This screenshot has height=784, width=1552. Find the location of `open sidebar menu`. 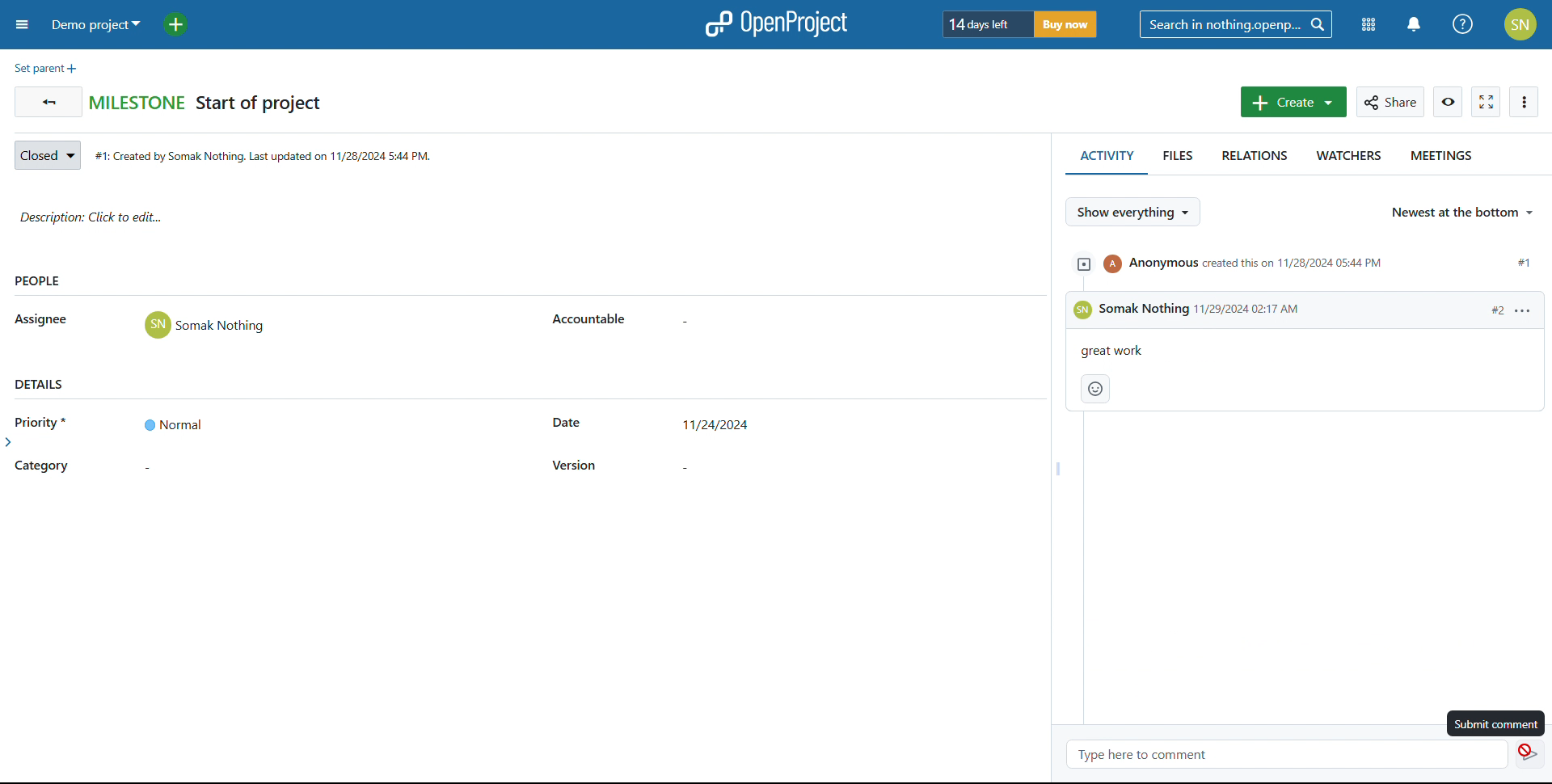

open sidebar menu is located at coordinates (23, 24).